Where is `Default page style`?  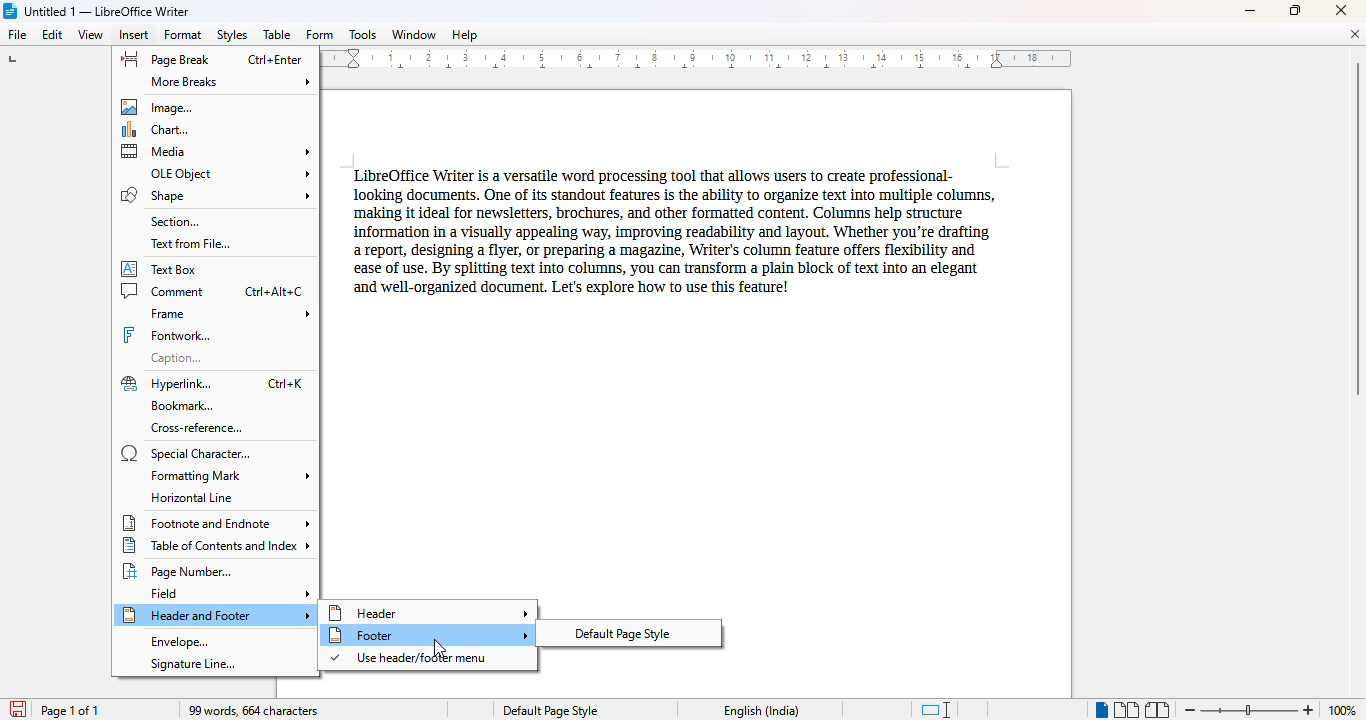 Default page style is located at coordinates (550, 711).